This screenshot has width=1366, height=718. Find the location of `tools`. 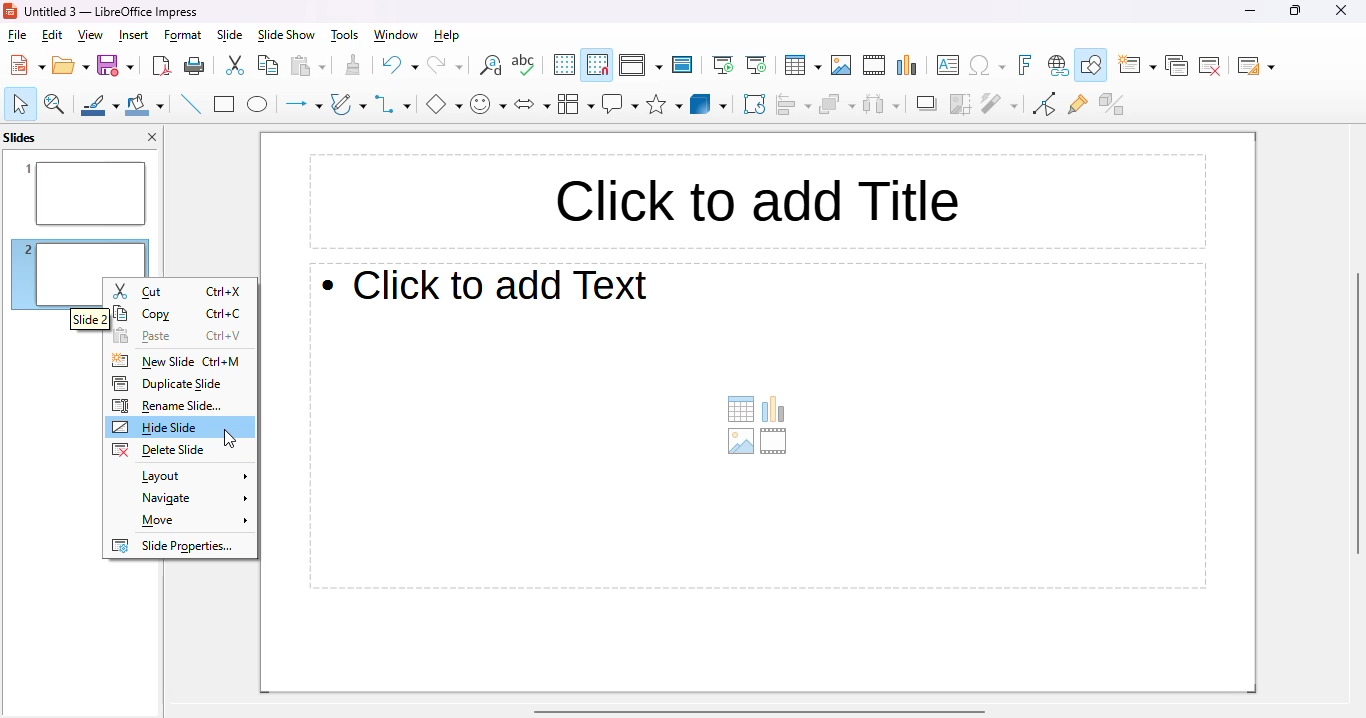

tools is located at coordinates (344, 36).